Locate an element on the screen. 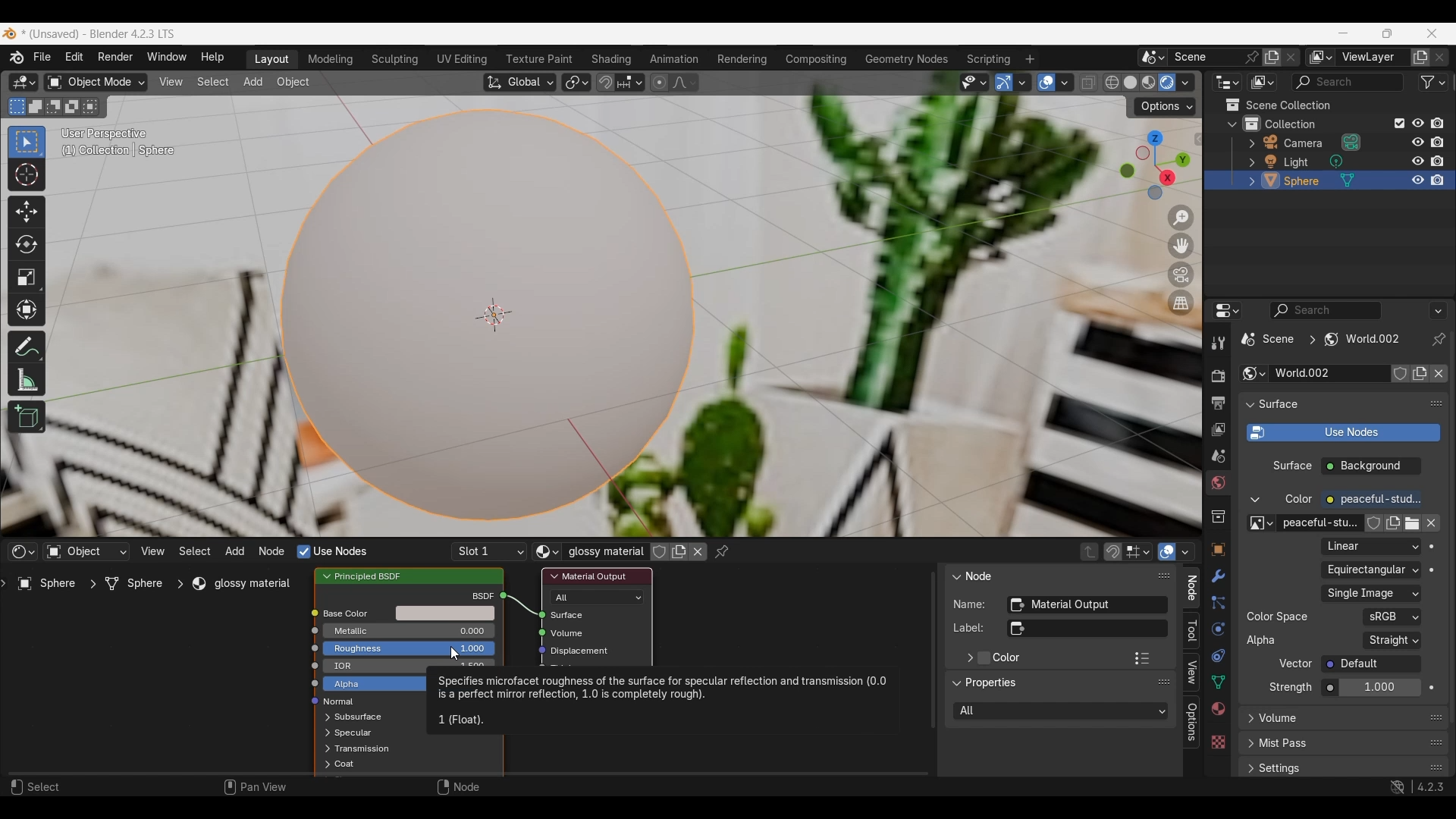 This screenshot has width=1456, height=819. Editor type options is located at coordinates (1227, 310).